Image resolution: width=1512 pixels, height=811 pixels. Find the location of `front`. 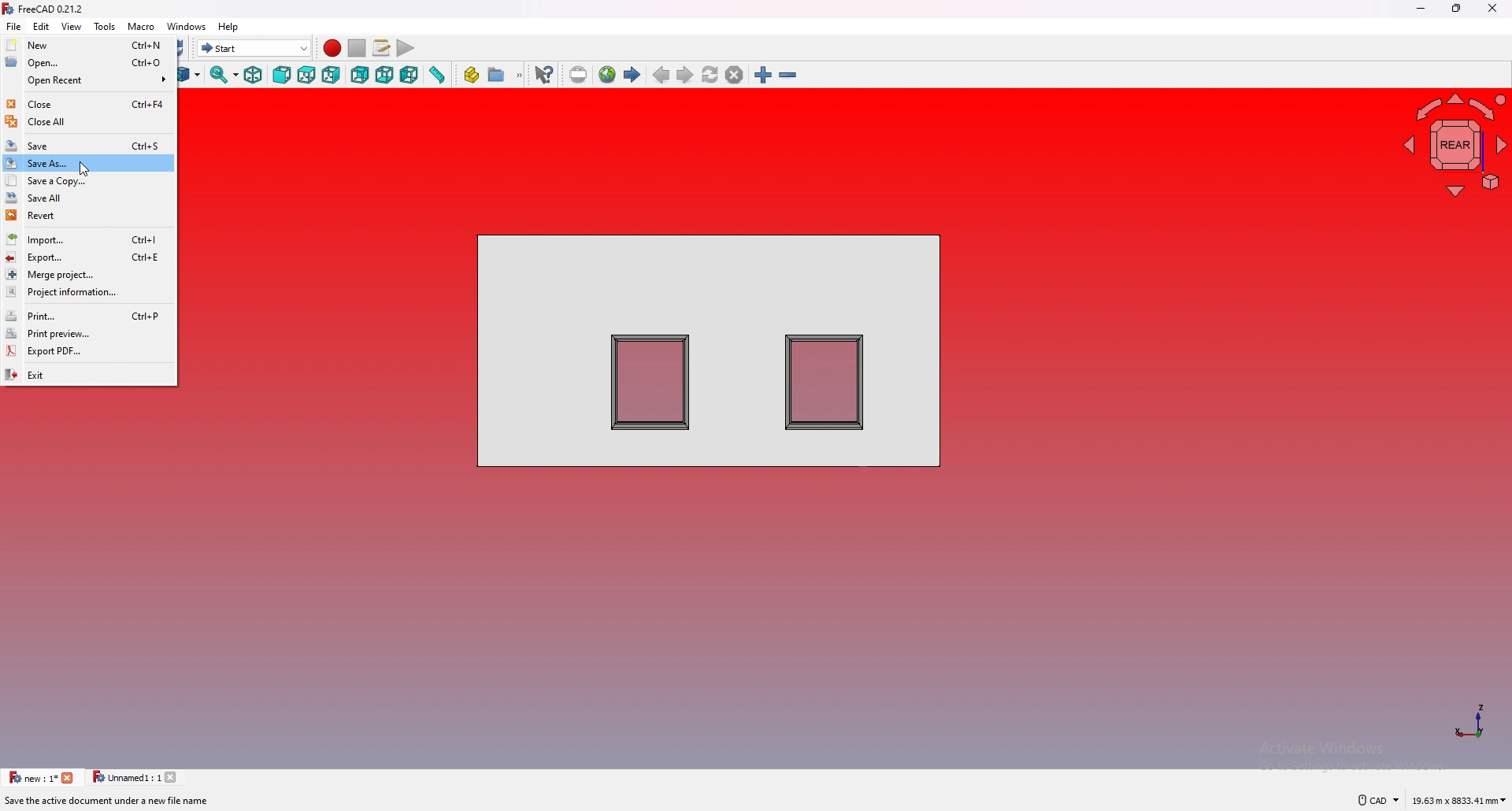

front is located at coordinates (283, 76).